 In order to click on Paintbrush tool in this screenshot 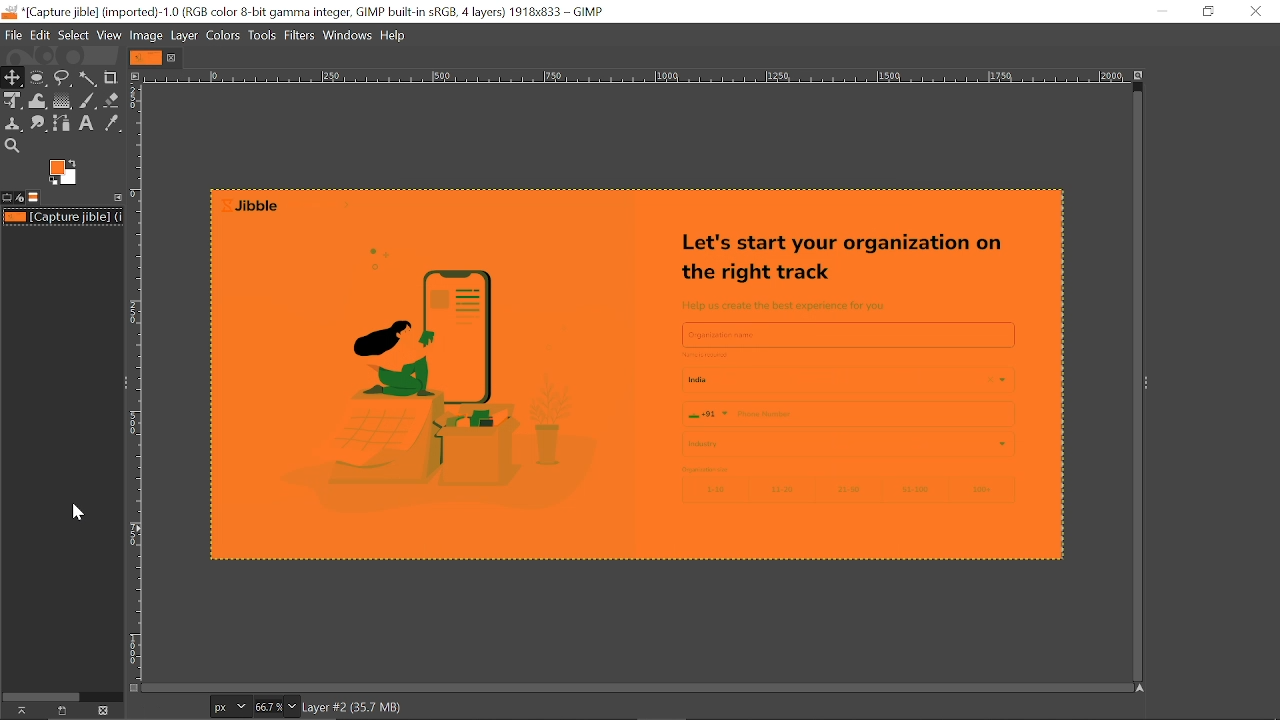, I will do `click(88, 101)`.